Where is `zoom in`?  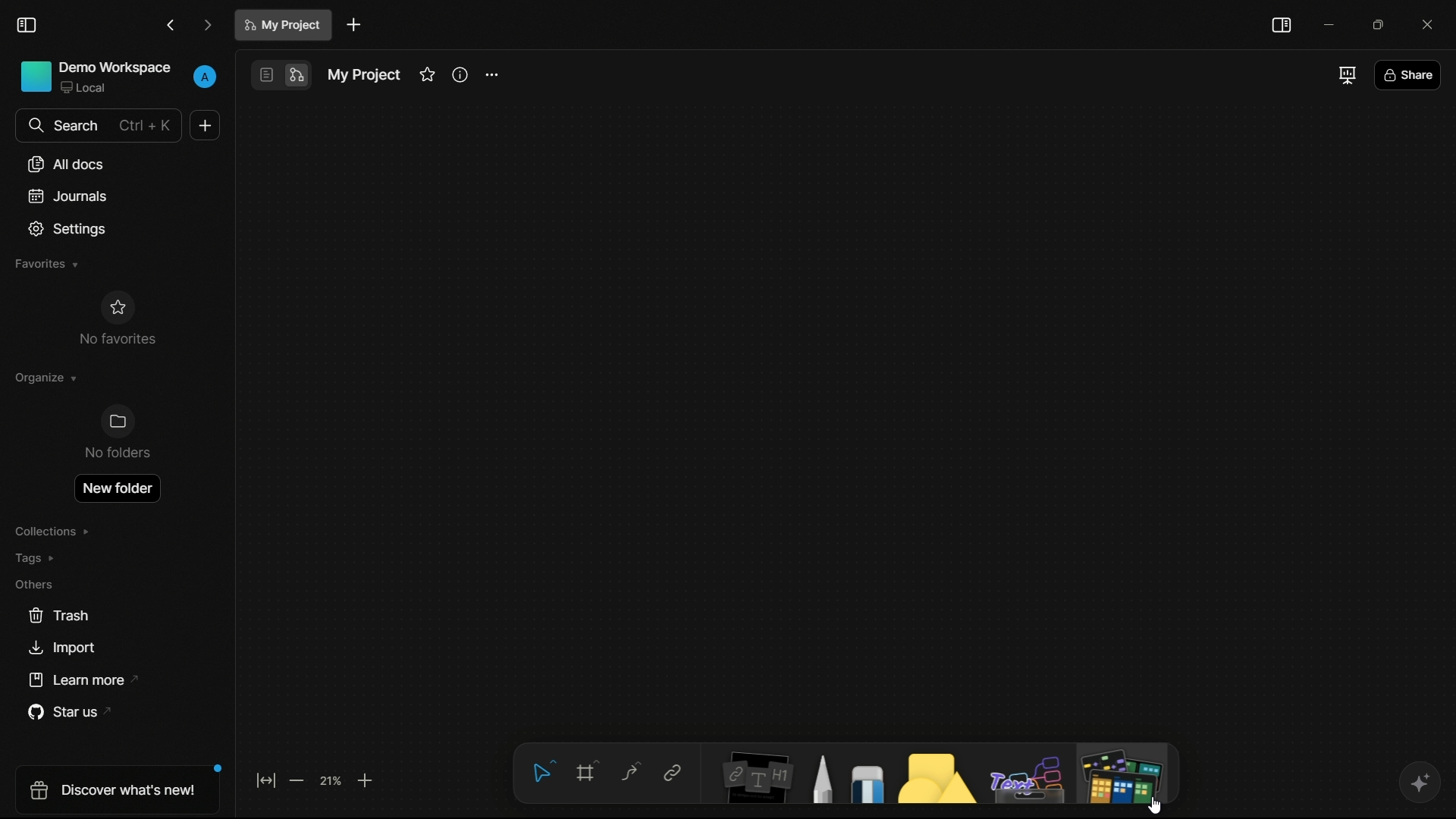 zoom in is located at coordinates (366, 782).